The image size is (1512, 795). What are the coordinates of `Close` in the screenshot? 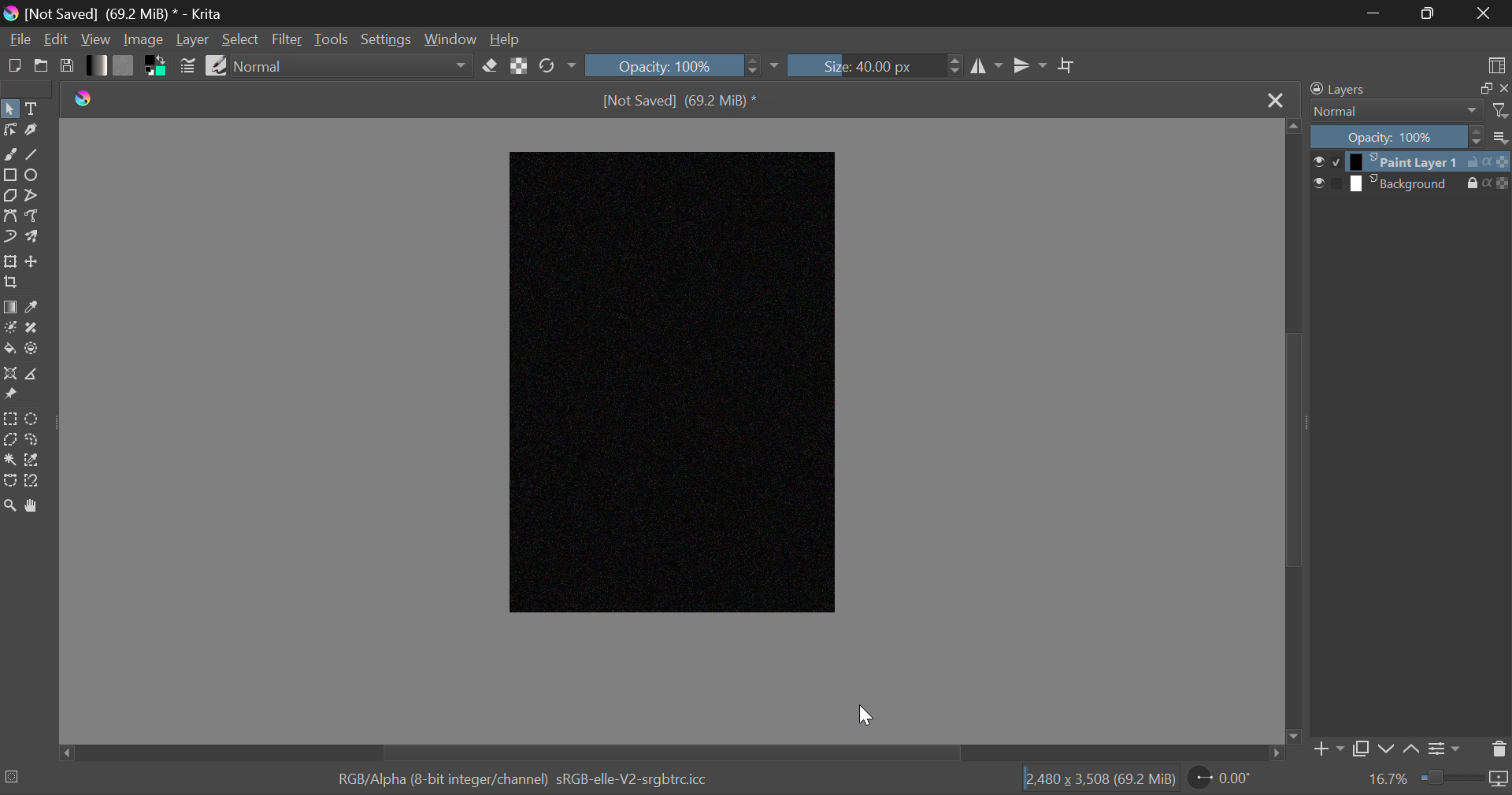 It's located at (1275, 98).